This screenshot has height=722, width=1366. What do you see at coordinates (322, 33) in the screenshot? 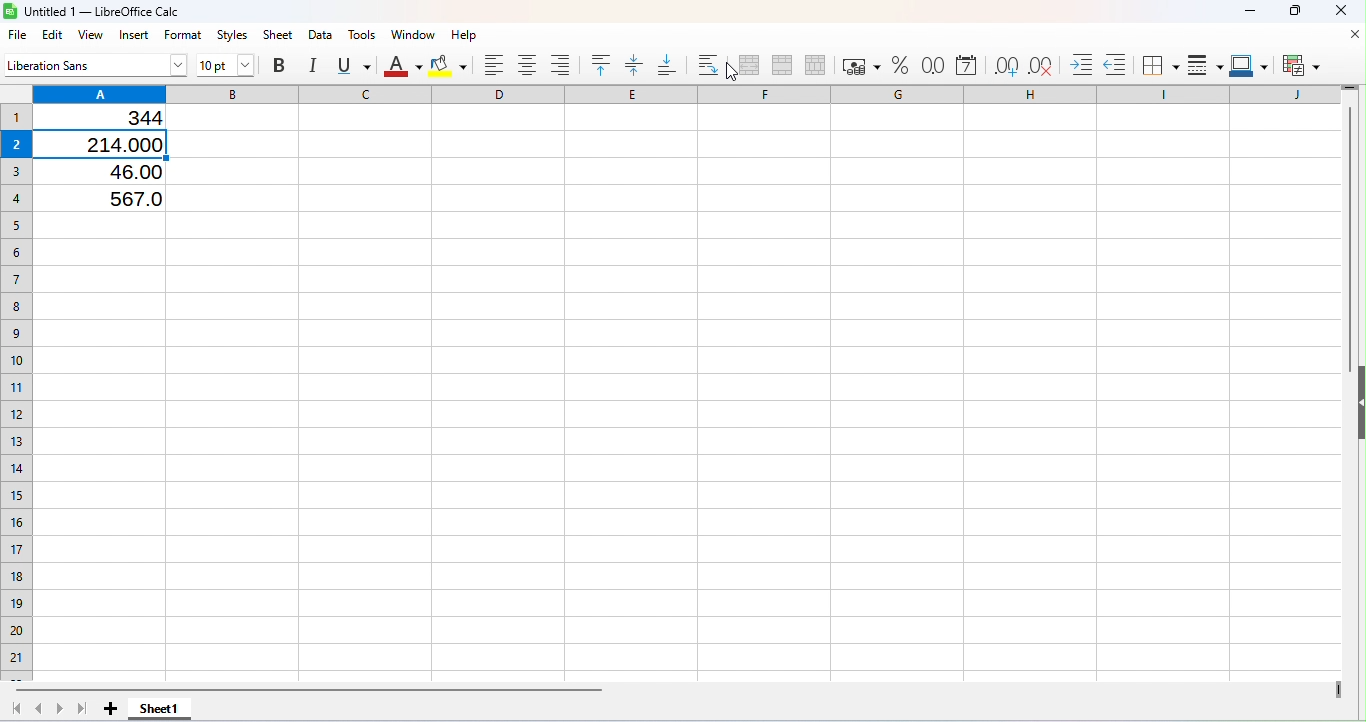
I see `Data` at bounding box center [322, 33].